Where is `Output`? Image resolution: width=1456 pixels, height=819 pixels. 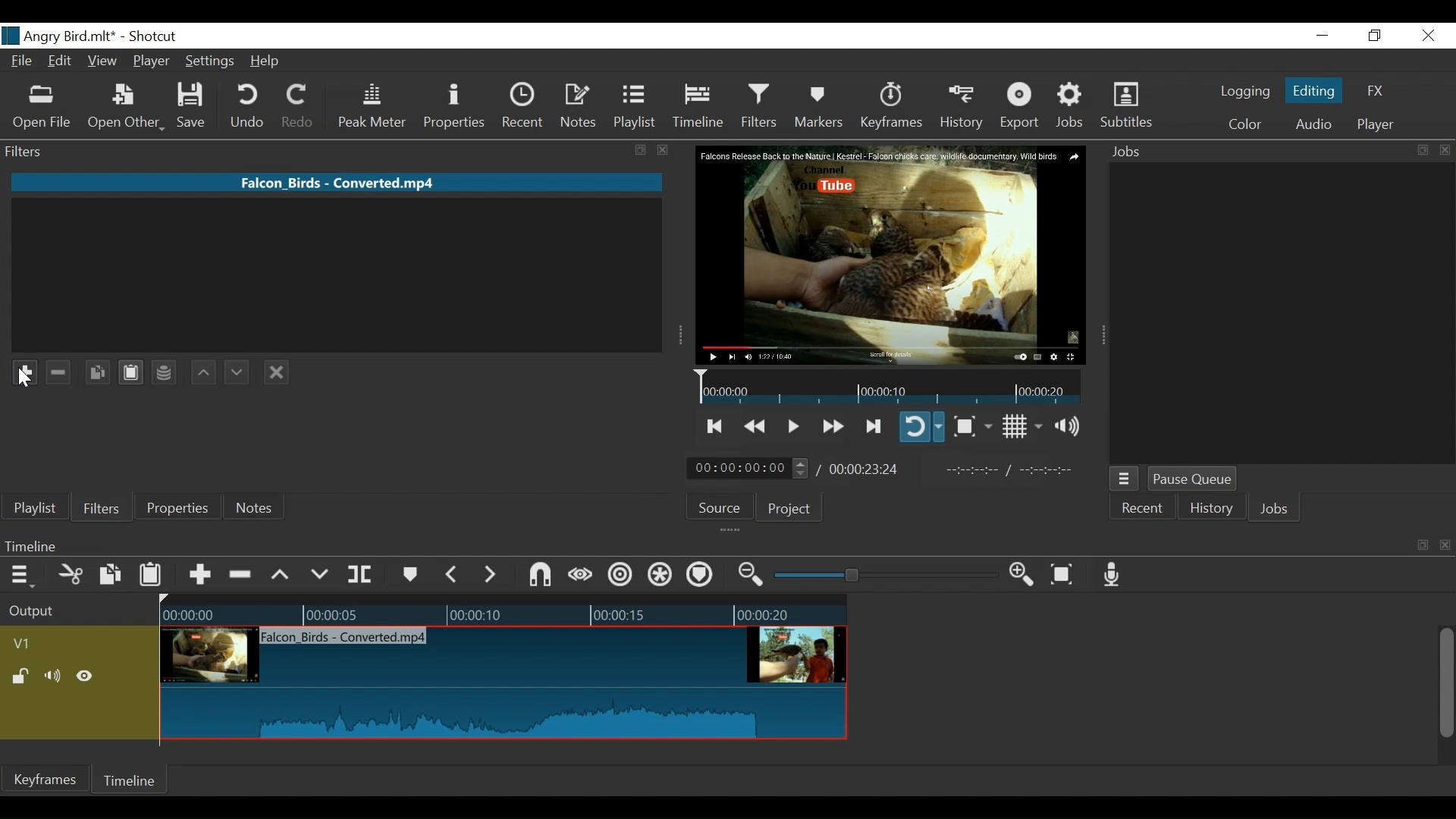
Output is located at coordinates (77, 612).